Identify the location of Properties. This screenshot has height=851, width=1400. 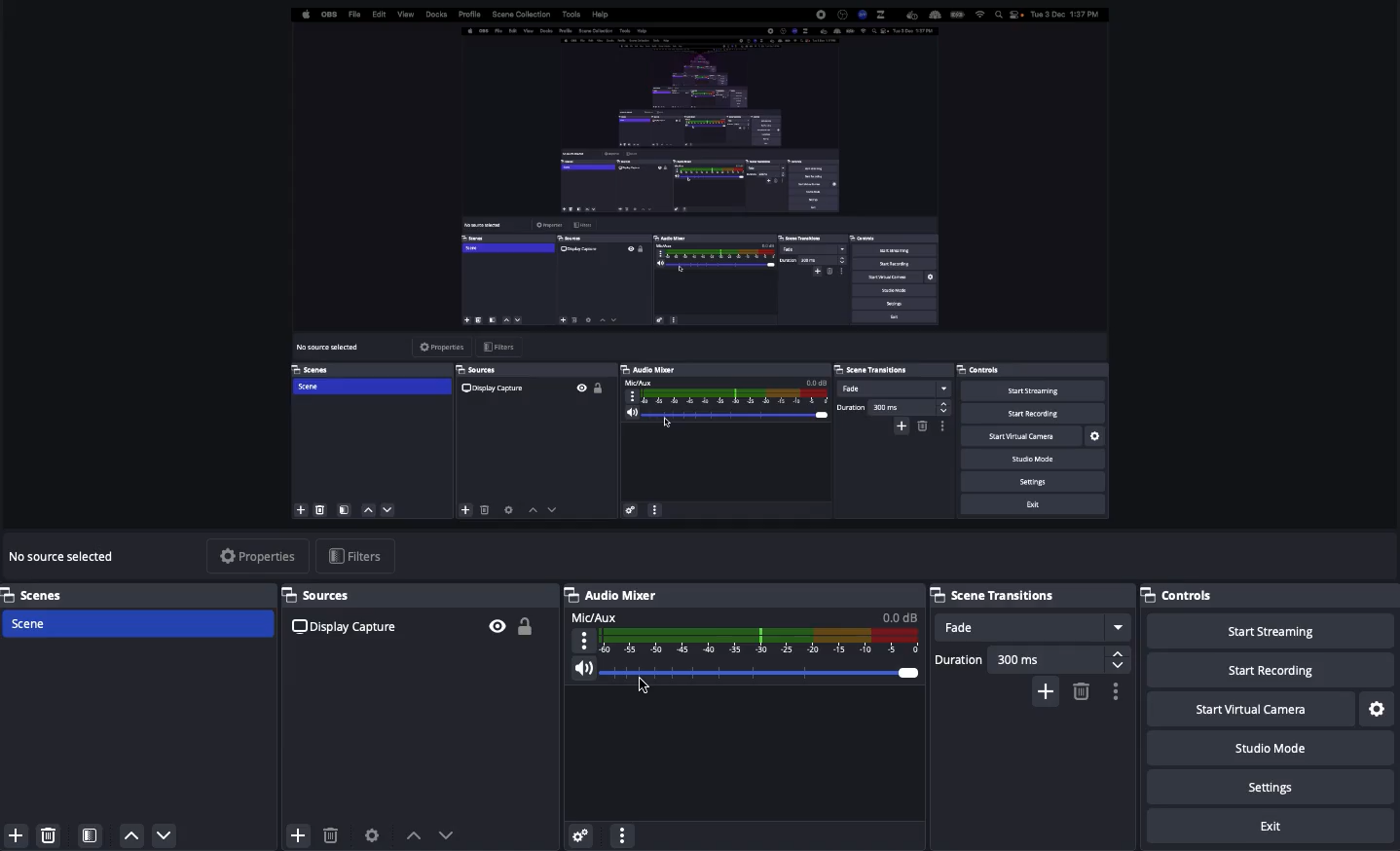
(257, 555).